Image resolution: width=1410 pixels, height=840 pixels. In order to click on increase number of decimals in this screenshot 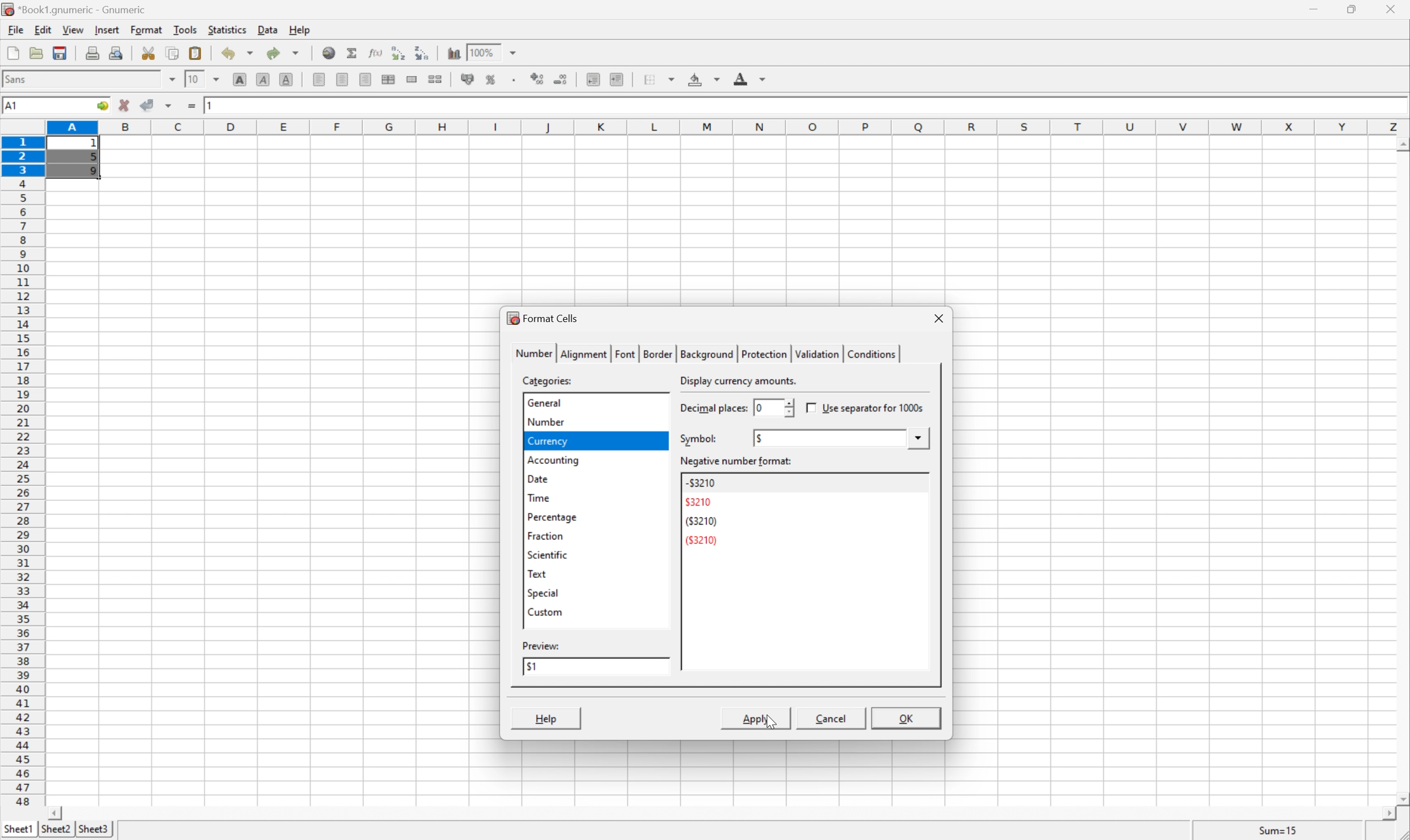, I will do `click(538, 79)`.